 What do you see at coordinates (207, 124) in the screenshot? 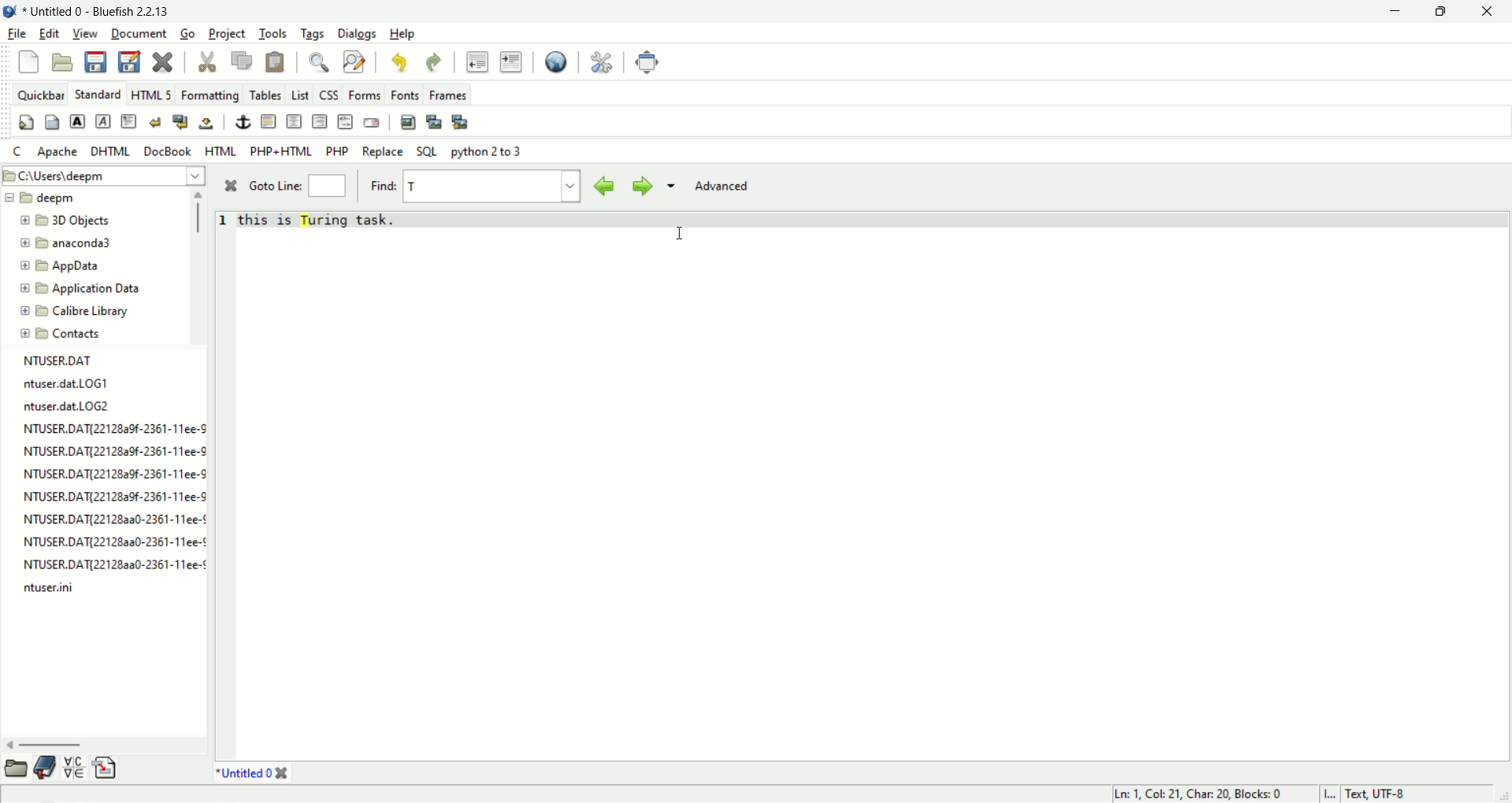
I see `non breaking space` at bounding box center [207, 124].